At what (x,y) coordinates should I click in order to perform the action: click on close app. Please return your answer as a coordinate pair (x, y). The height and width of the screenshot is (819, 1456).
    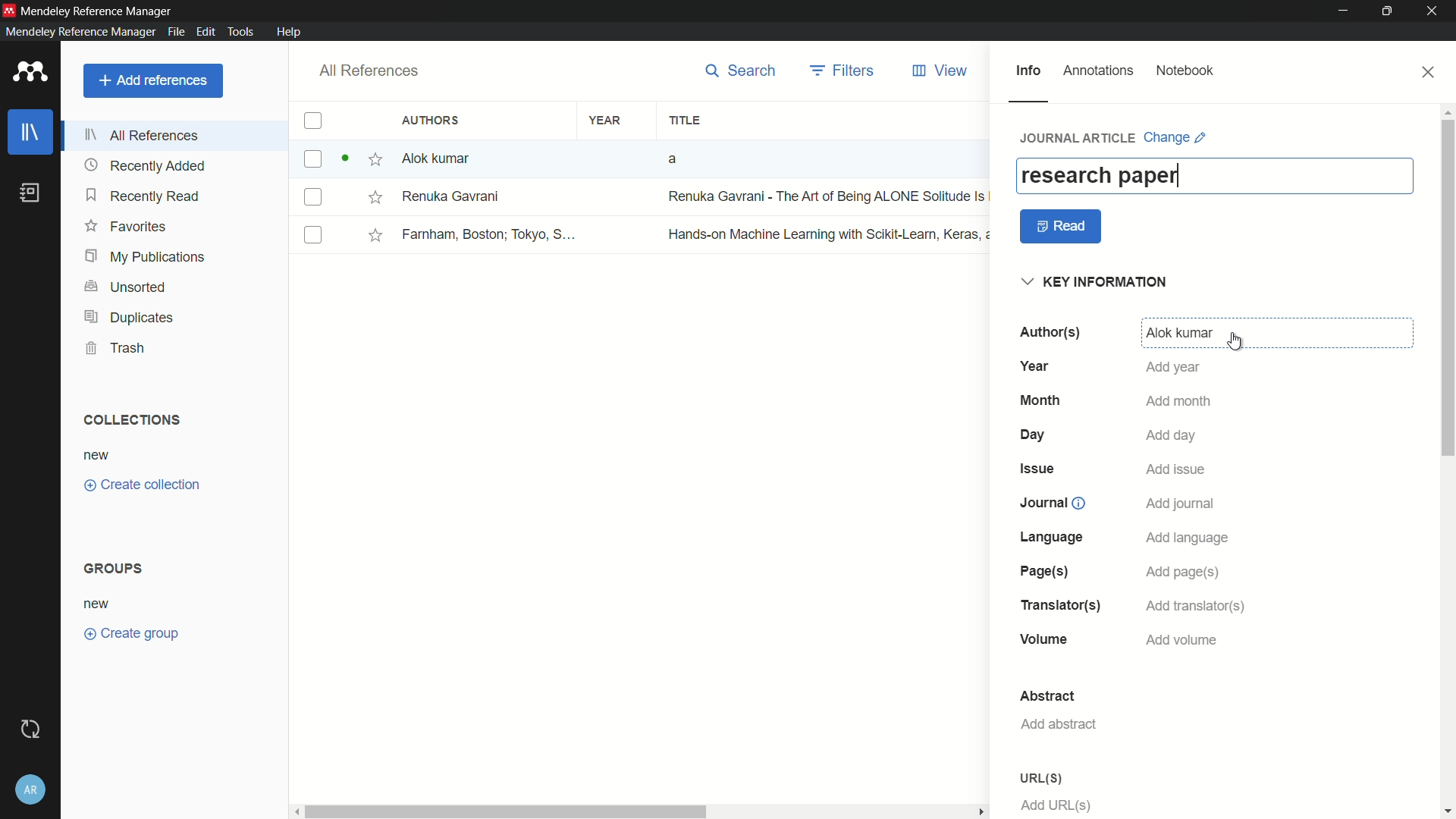
    Looking at the image, I should click on (1435, 11).